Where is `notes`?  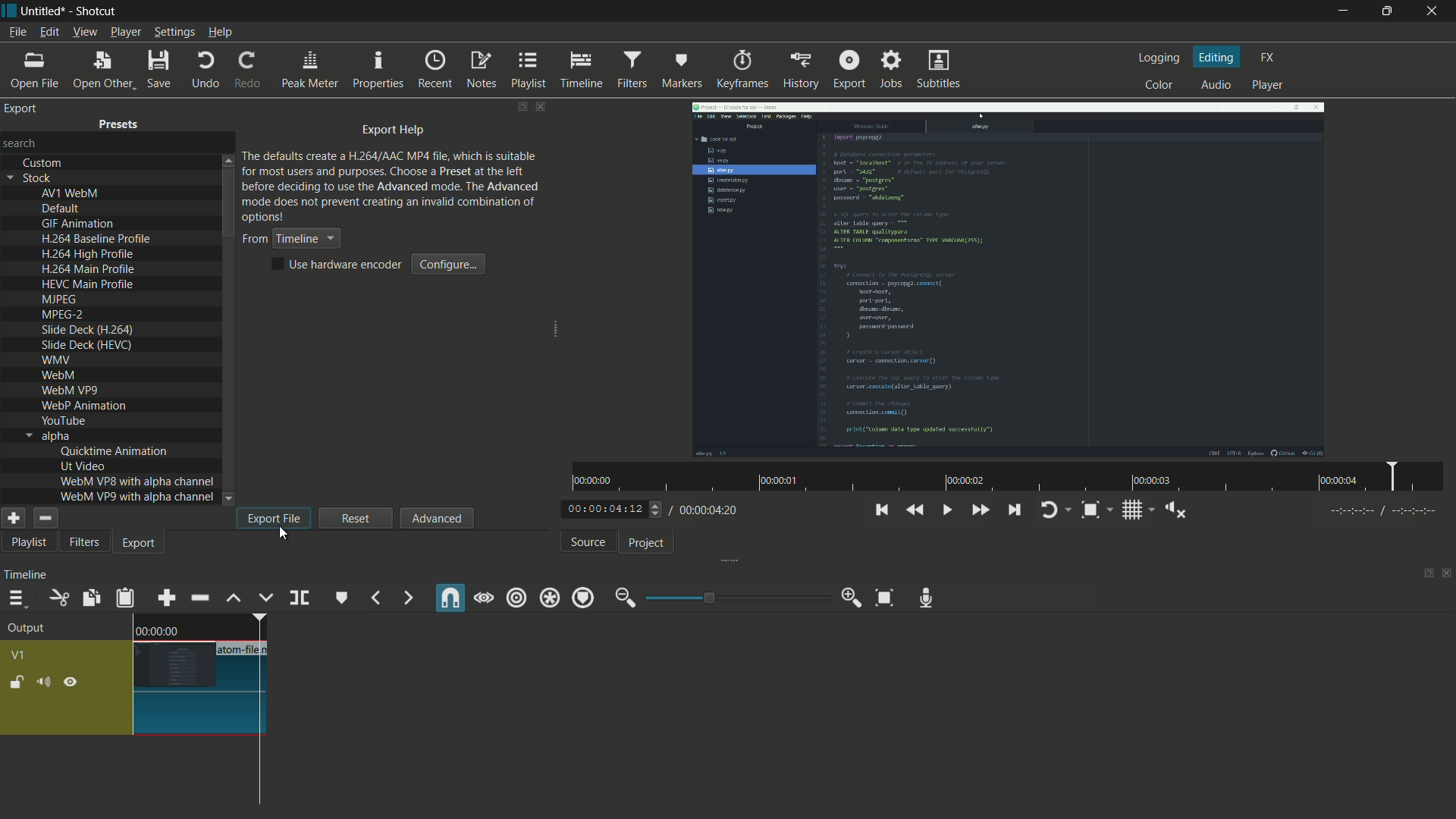 notes is located at coordinates (483, 70).